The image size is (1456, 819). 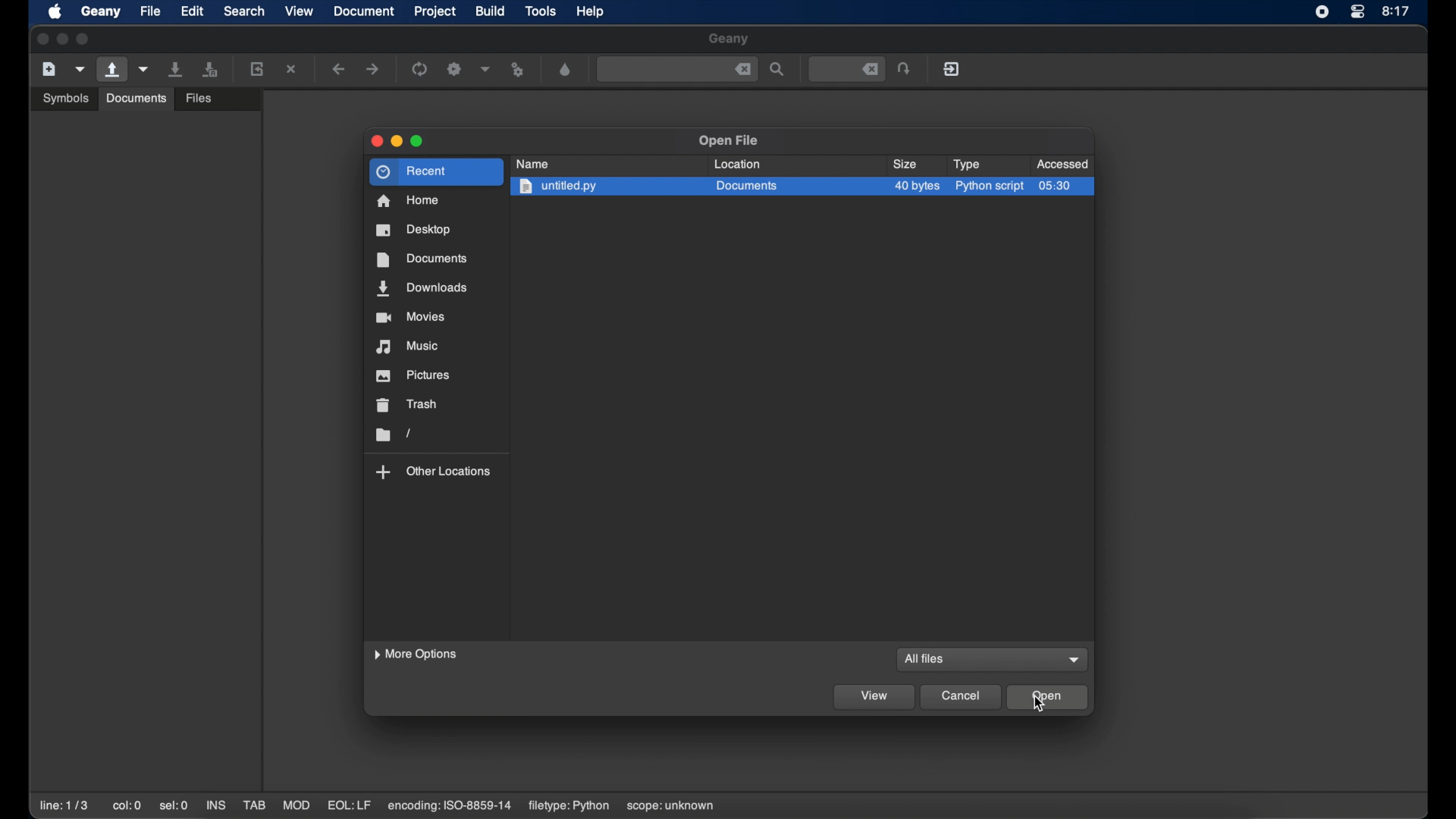 I want to click on files, so click(x=199, y=99).